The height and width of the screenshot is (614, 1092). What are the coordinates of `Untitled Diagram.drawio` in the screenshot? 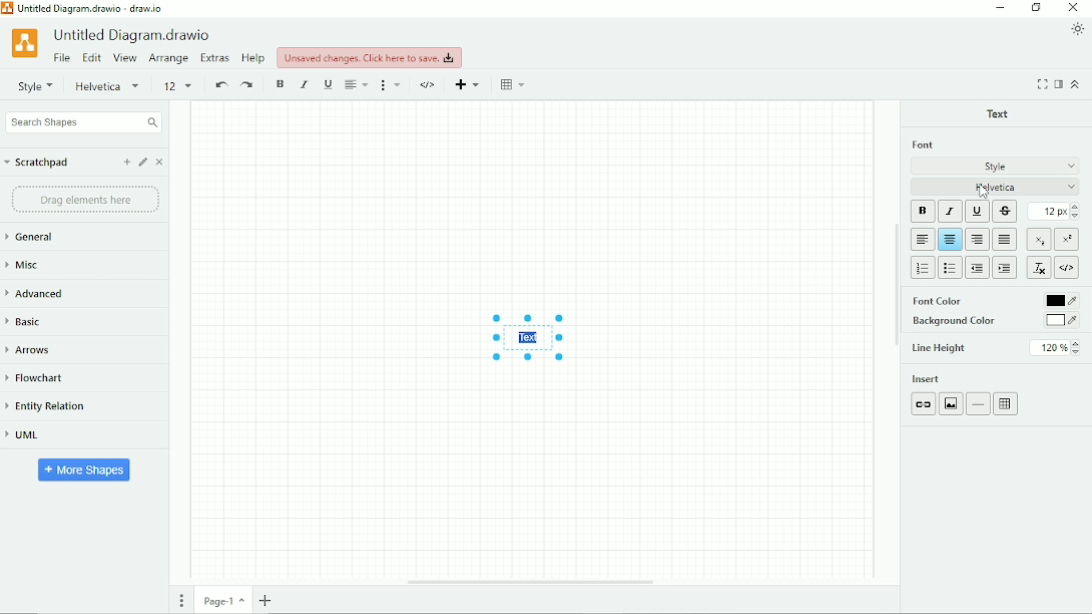 It's located at (136, 35).